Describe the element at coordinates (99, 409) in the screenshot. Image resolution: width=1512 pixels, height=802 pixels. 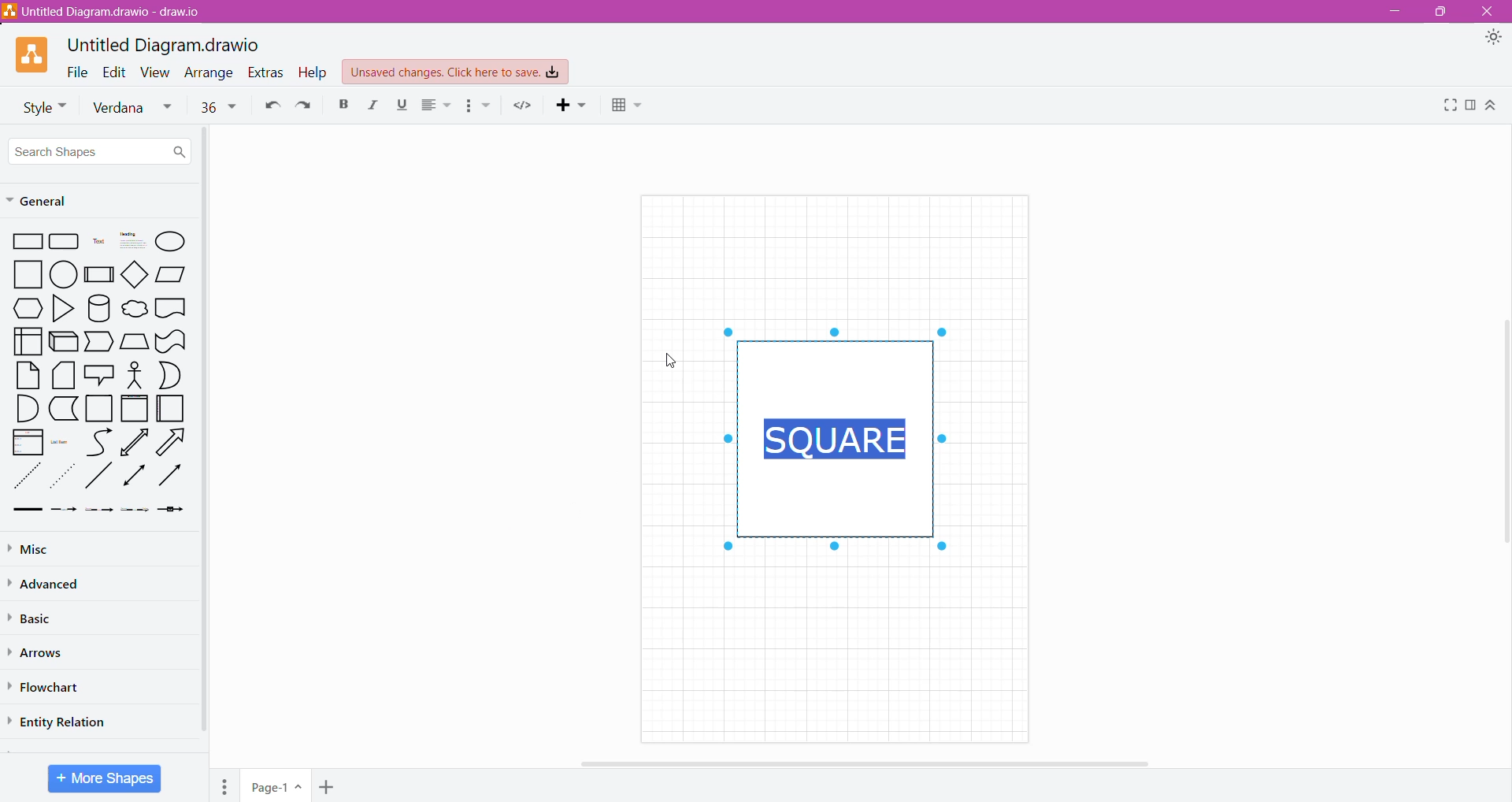
I see `Square ` at that location.